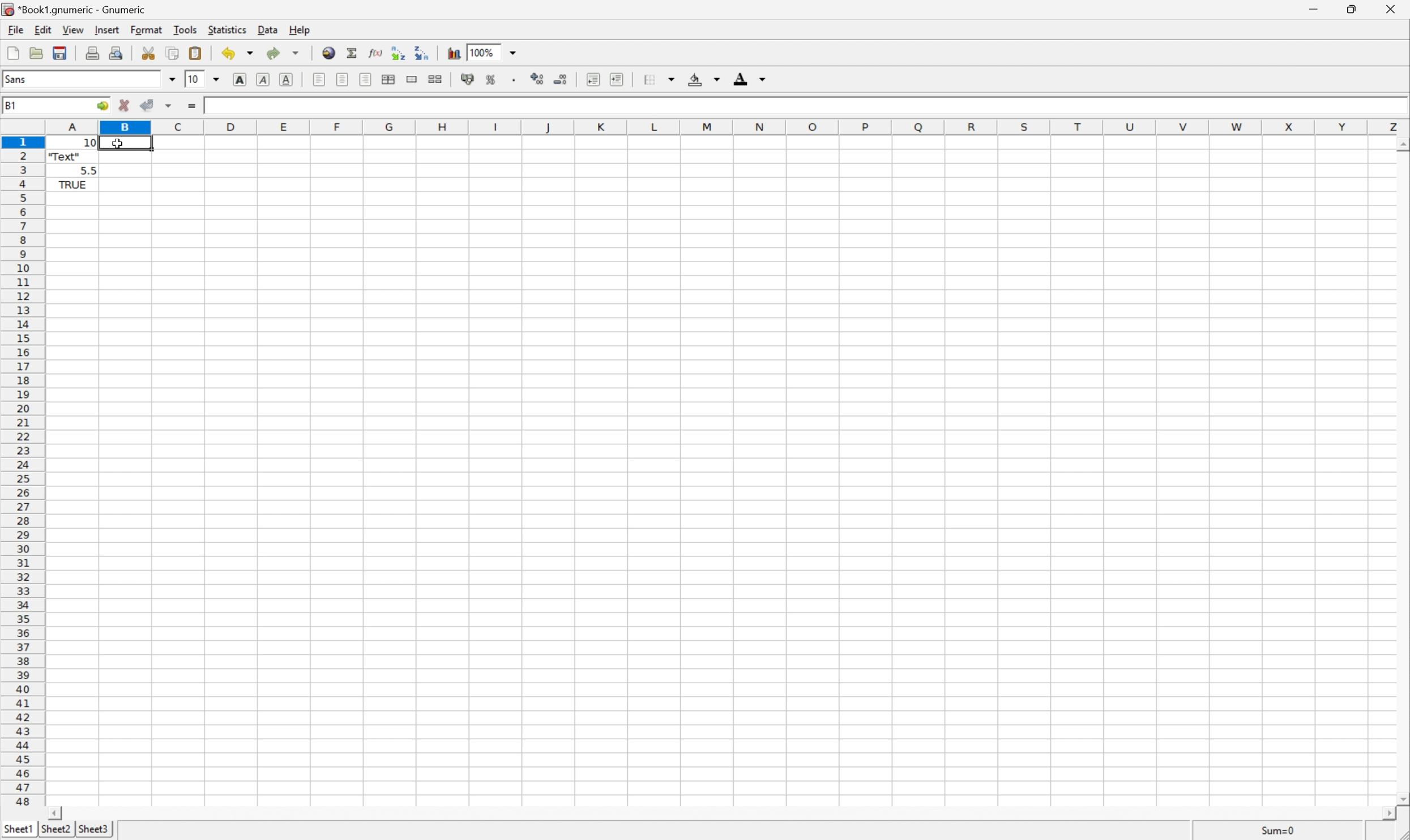  Describe the element at coordinates (319, 78) in the screenshot. I see `Align Left` at that location.